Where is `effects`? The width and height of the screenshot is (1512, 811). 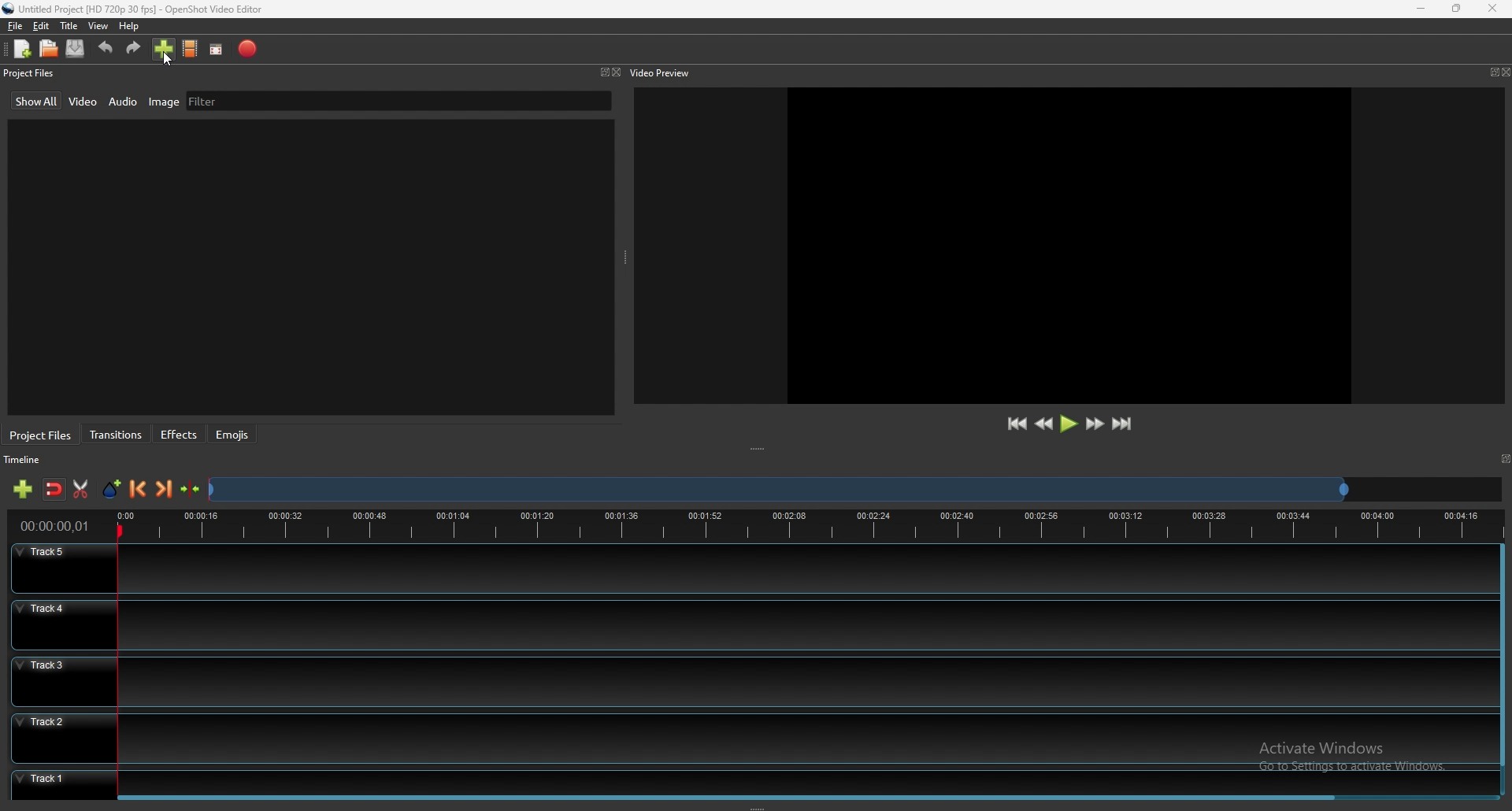 effects is located at coordinates (180, 435).